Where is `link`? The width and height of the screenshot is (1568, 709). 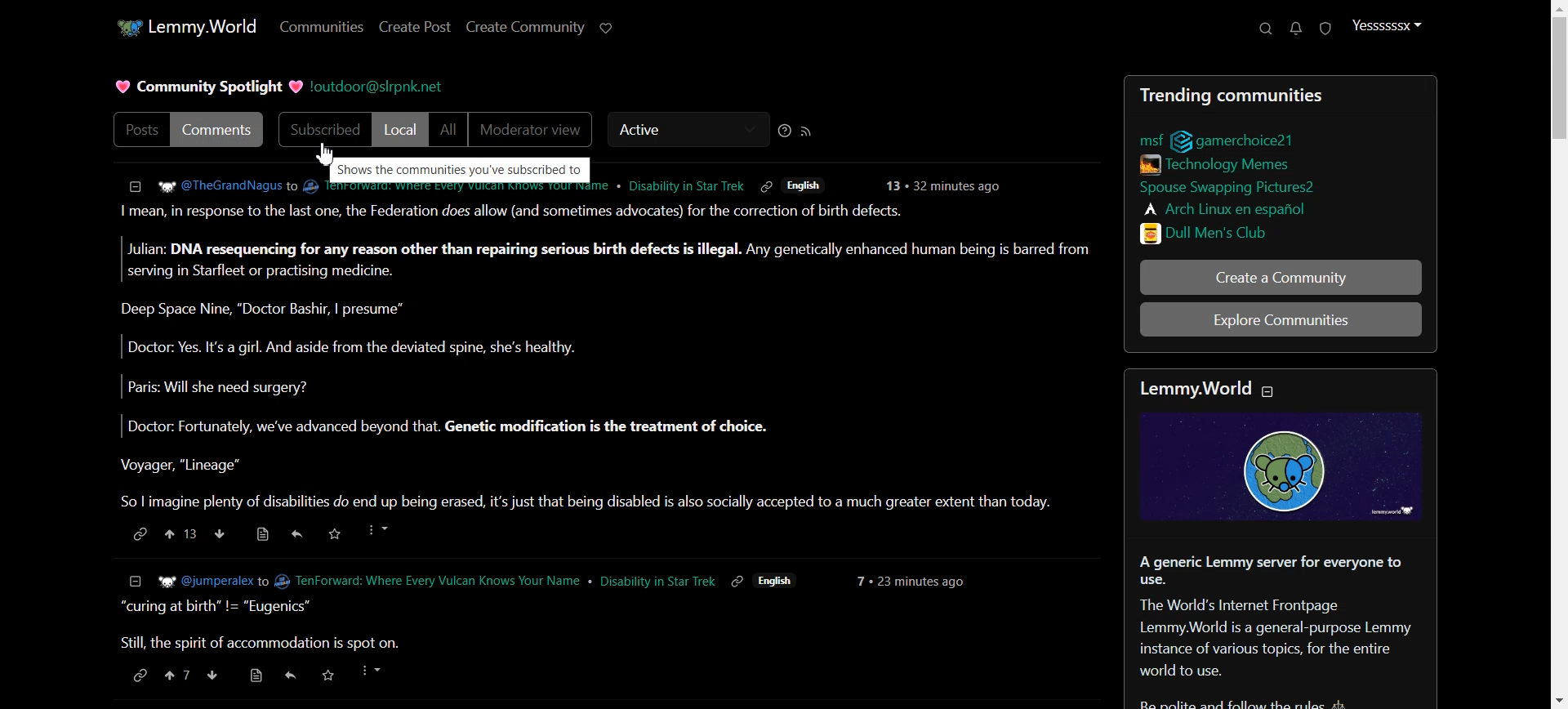
link is located at coordinates (137, 535).